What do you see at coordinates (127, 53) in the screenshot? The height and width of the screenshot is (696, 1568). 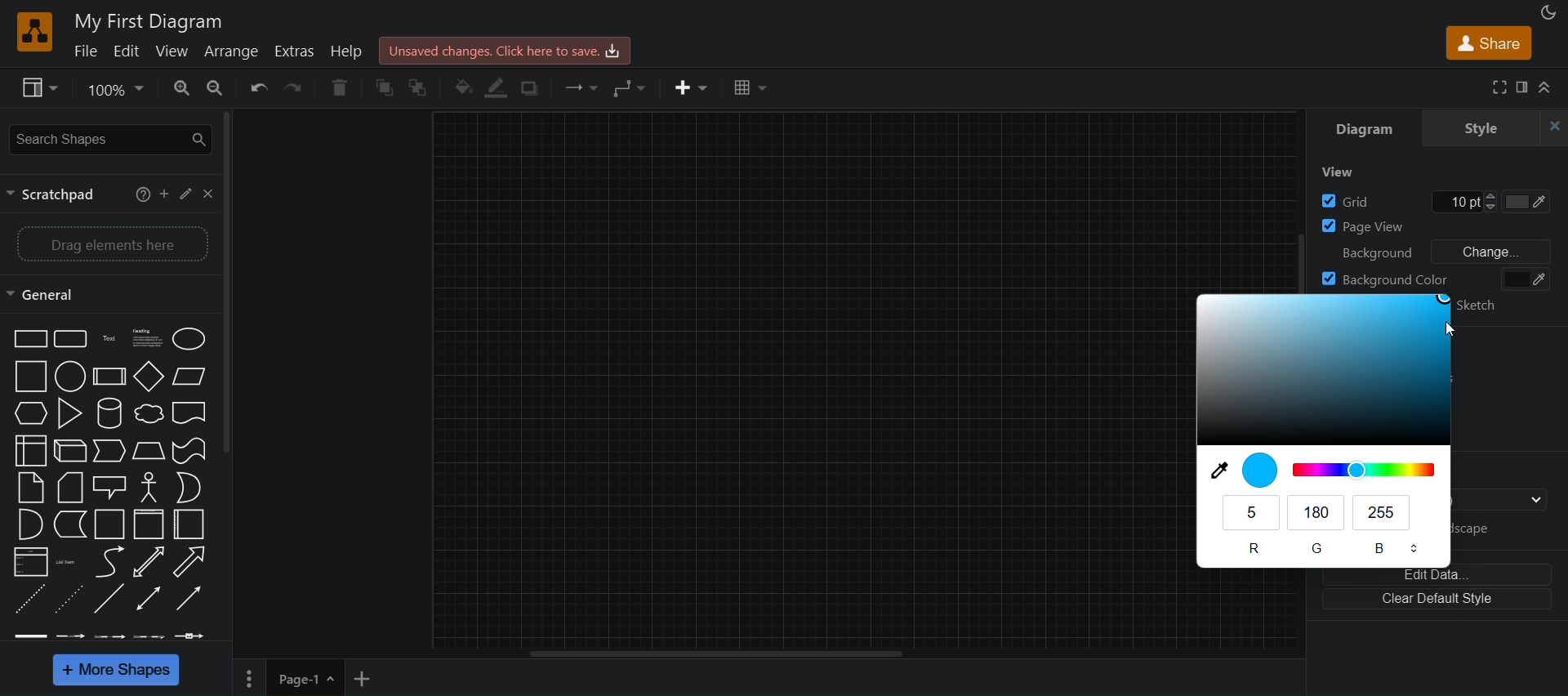 I see `edit` at bounding box center [127, 53].